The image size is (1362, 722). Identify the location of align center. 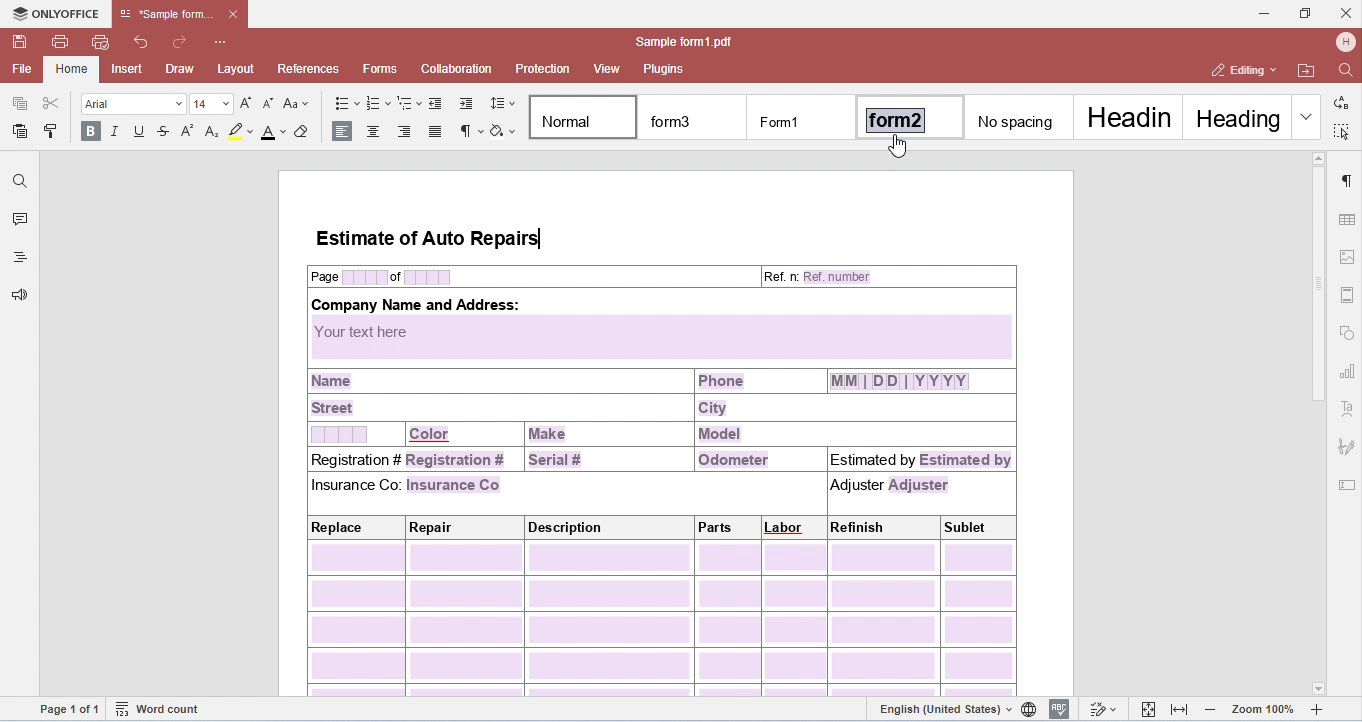
(375, 132).